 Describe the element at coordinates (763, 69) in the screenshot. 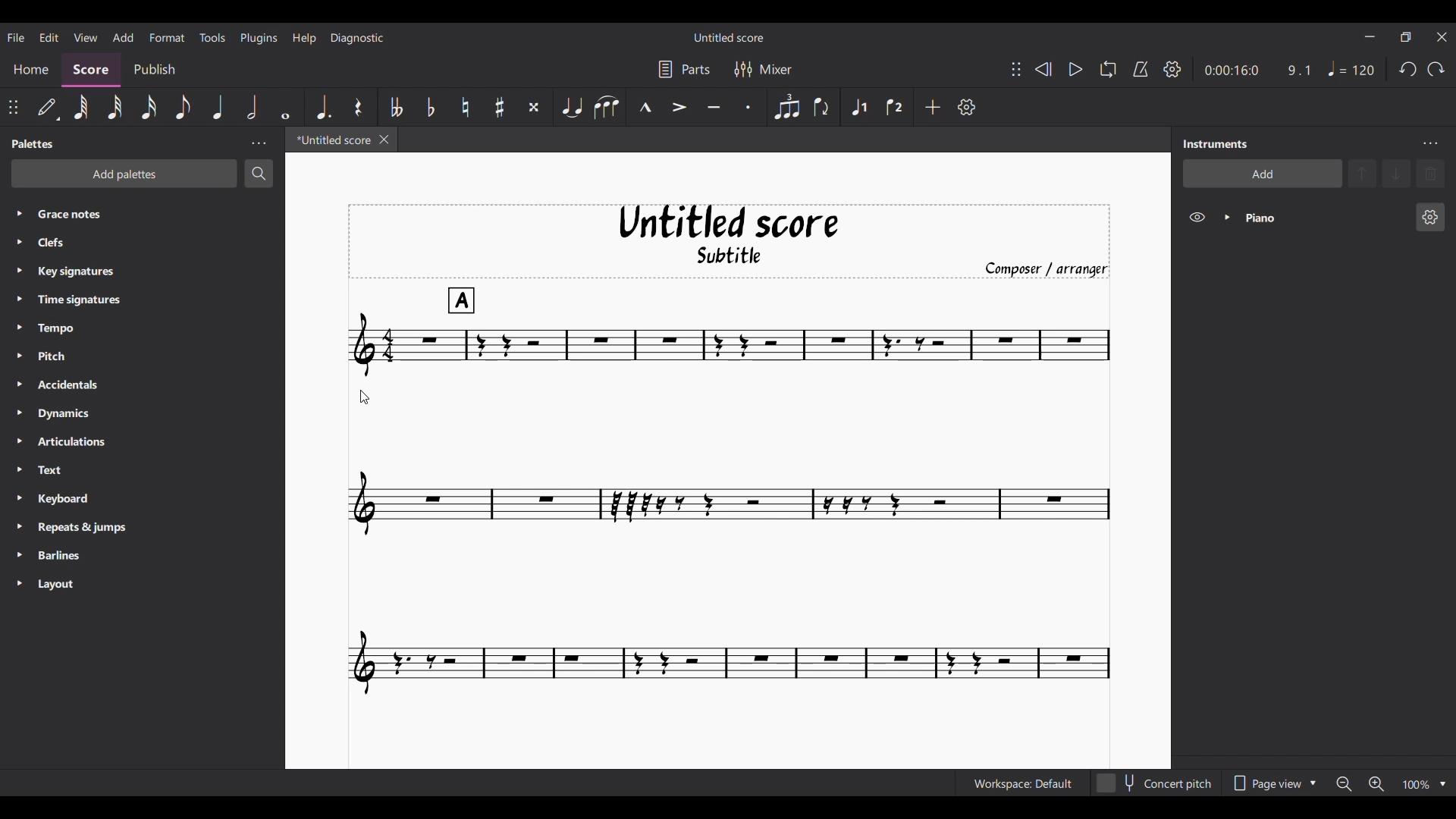

I see `Mixer settings` at that location.